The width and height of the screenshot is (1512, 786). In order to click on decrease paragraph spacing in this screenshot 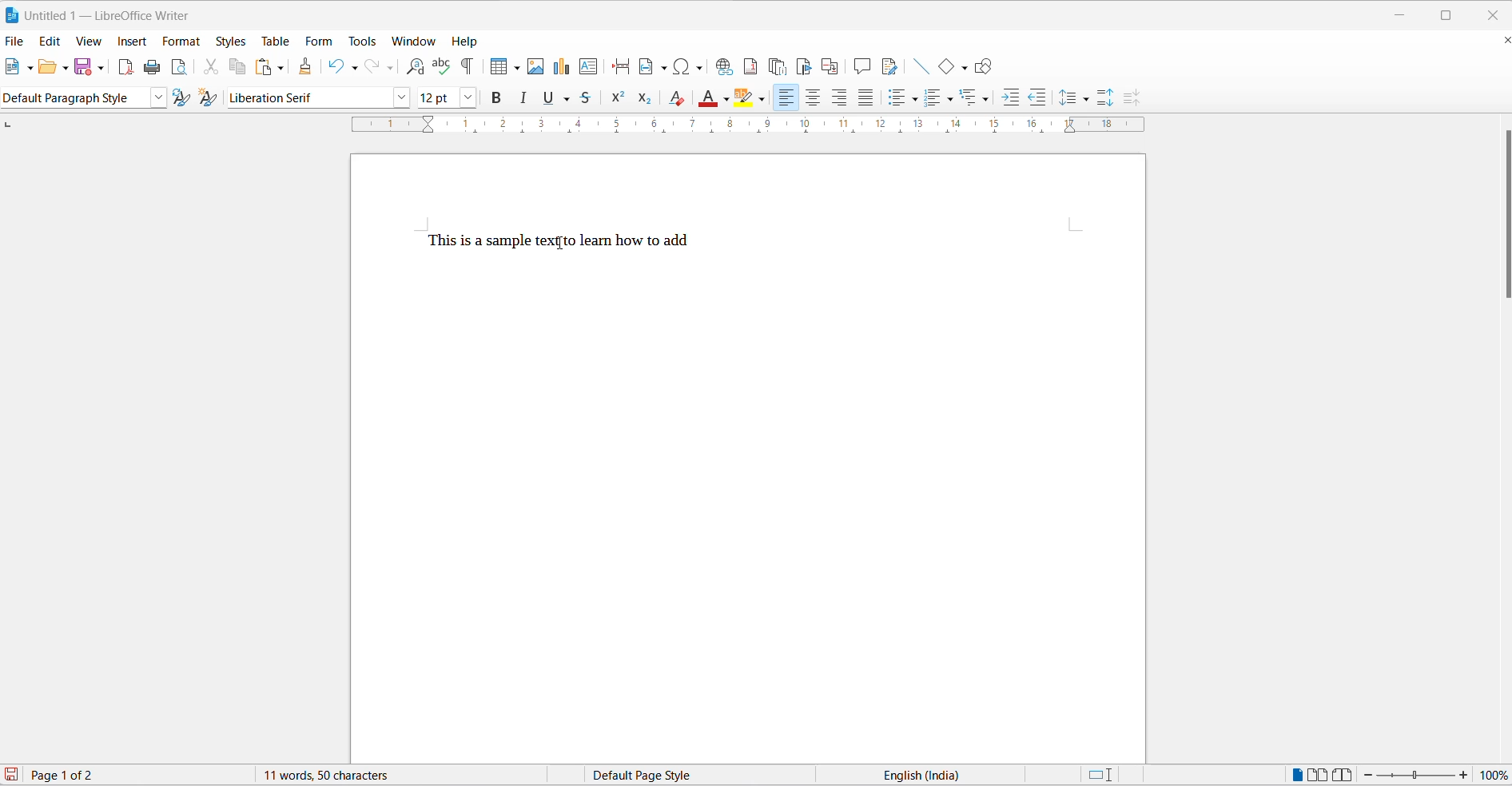, I will do `click(1130, 97)`.